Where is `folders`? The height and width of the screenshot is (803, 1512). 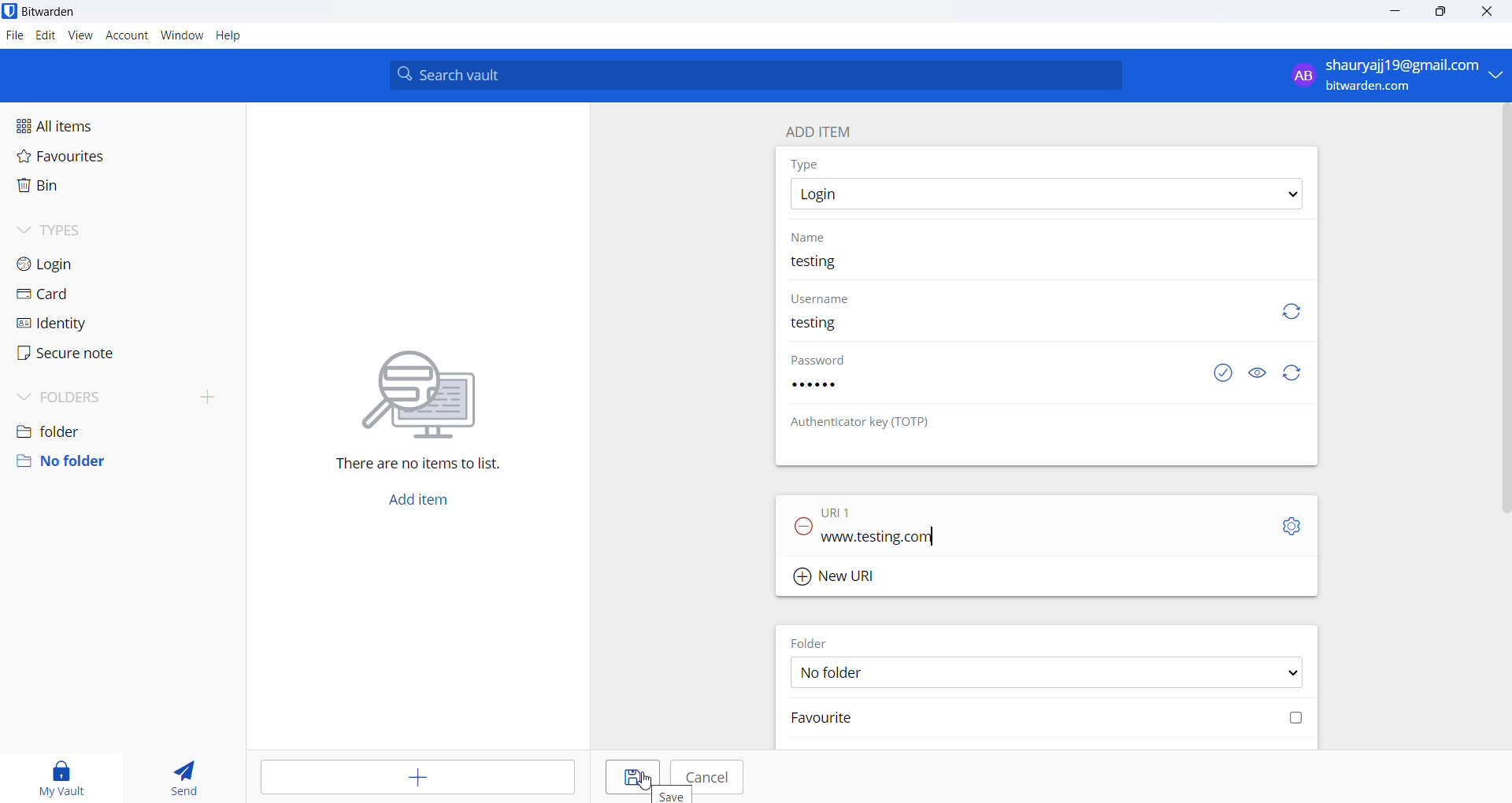
folders is located at coordinates (126, 394).